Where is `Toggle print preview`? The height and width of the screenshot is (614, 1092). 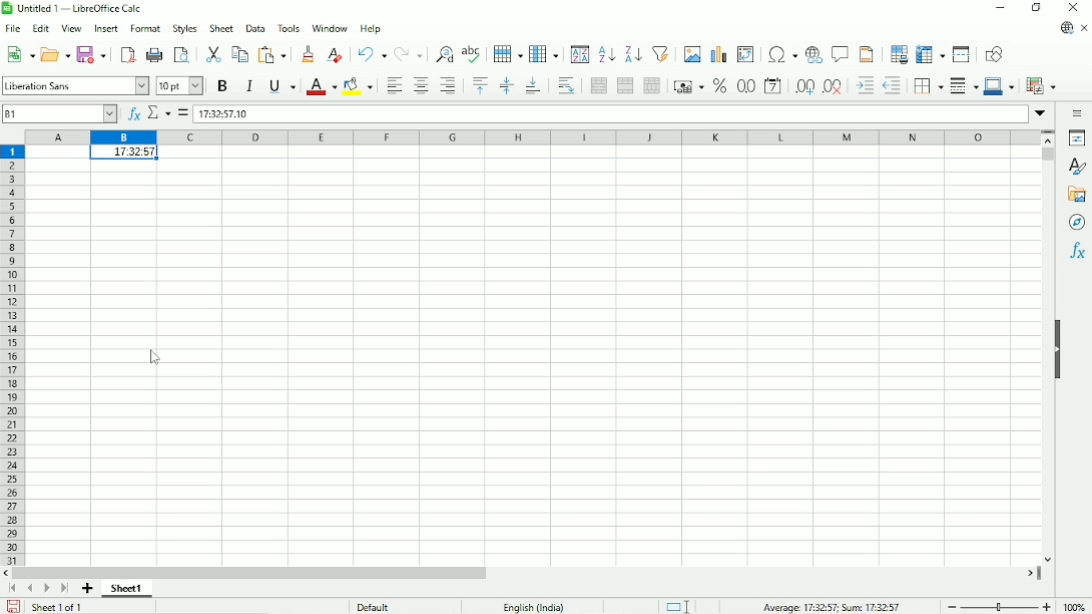 Toggle print preview is located at coordinates (183, 53).